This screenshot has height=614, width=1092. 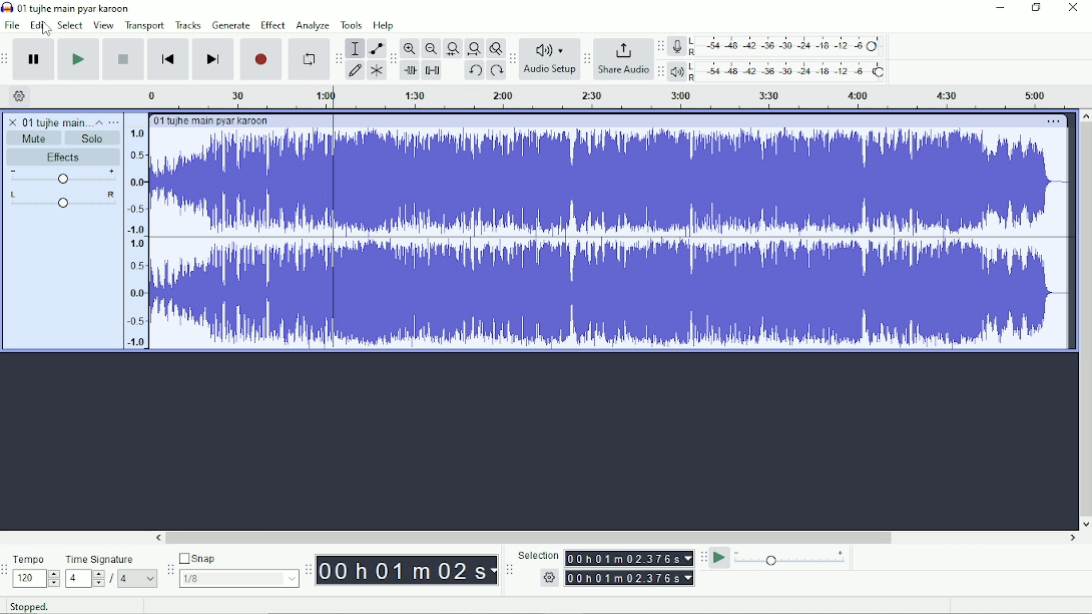 What do you see at coordinates (393, 58) in the screenshot?
I see `Audacity edit toolbar` at bounding box center [393, 58].